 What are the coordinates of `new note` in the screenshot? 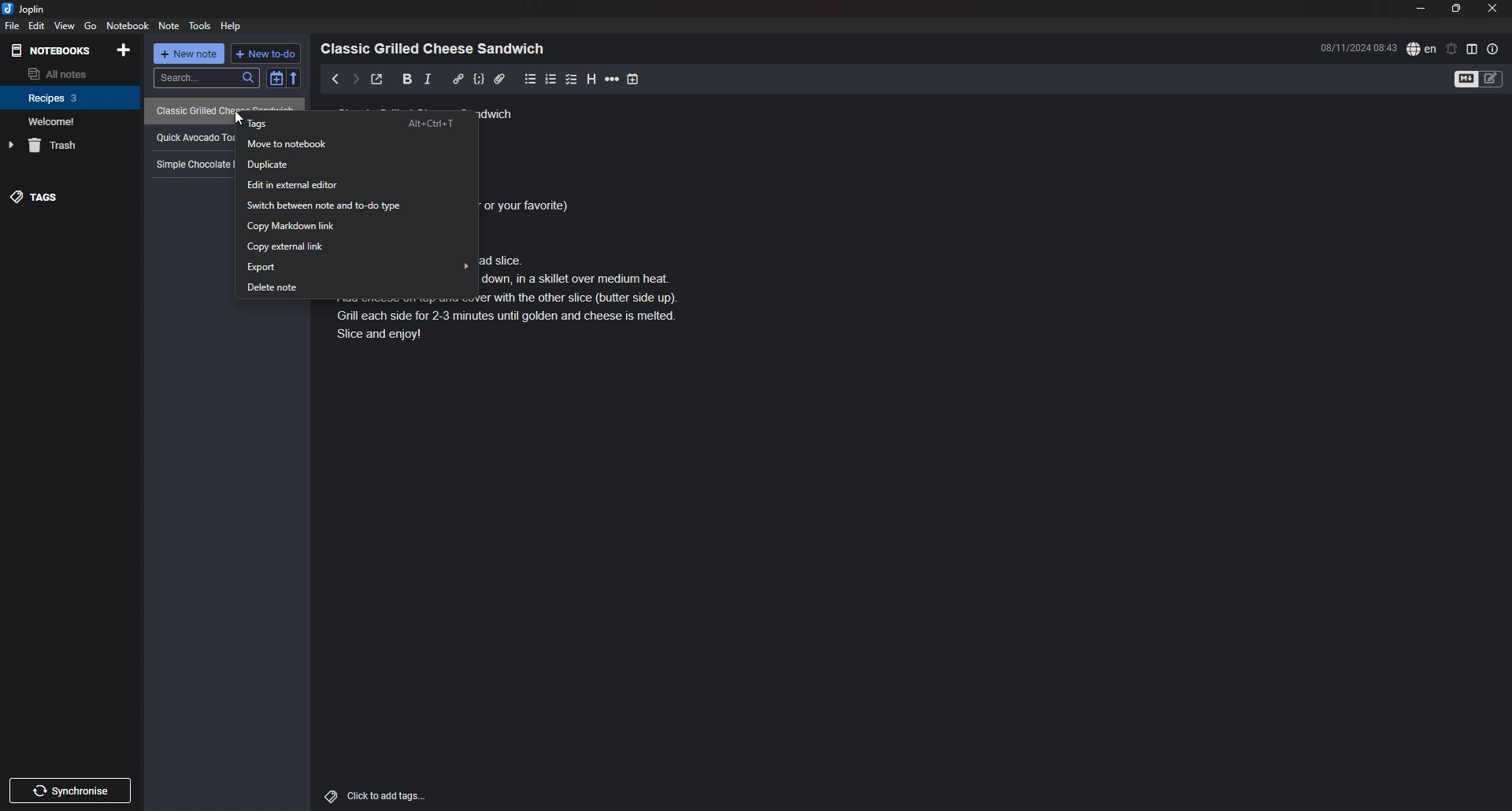 It's located at (190, 54).